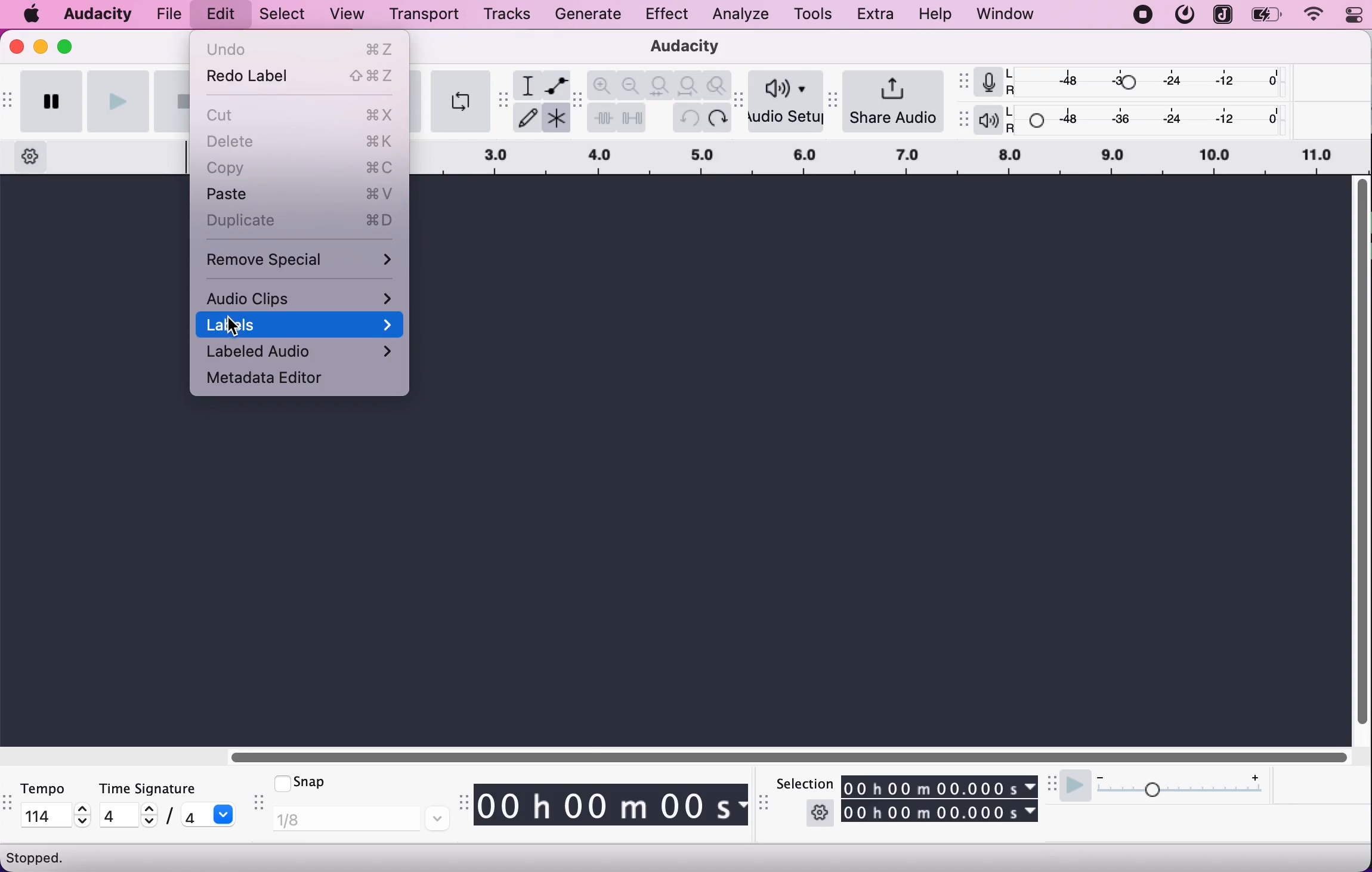  What do you see at coordinates (225, 814) in the screenshot?
I see `dropdown` at bounding box center [225, 814].